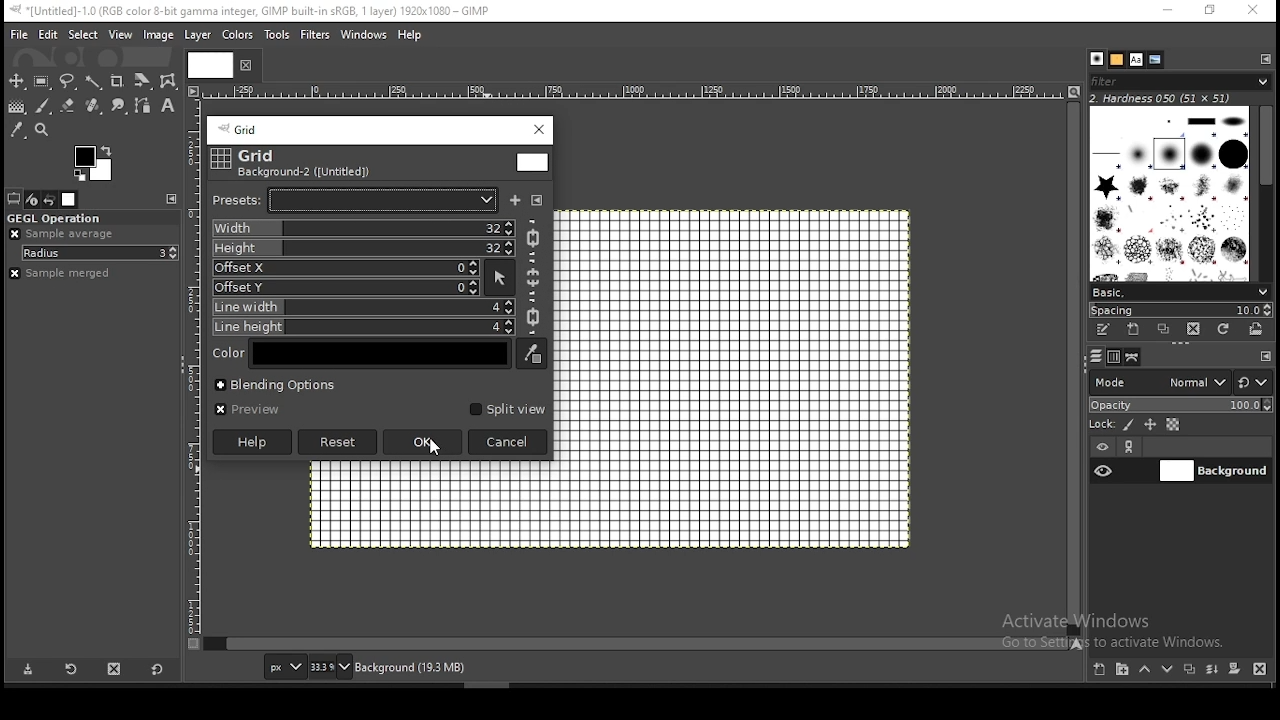 Image resolution: width=1280 pixels, height=720 pixels. Describe the element at coordinates (44, 106) in the screenshot. I see `brush tool` at that location.